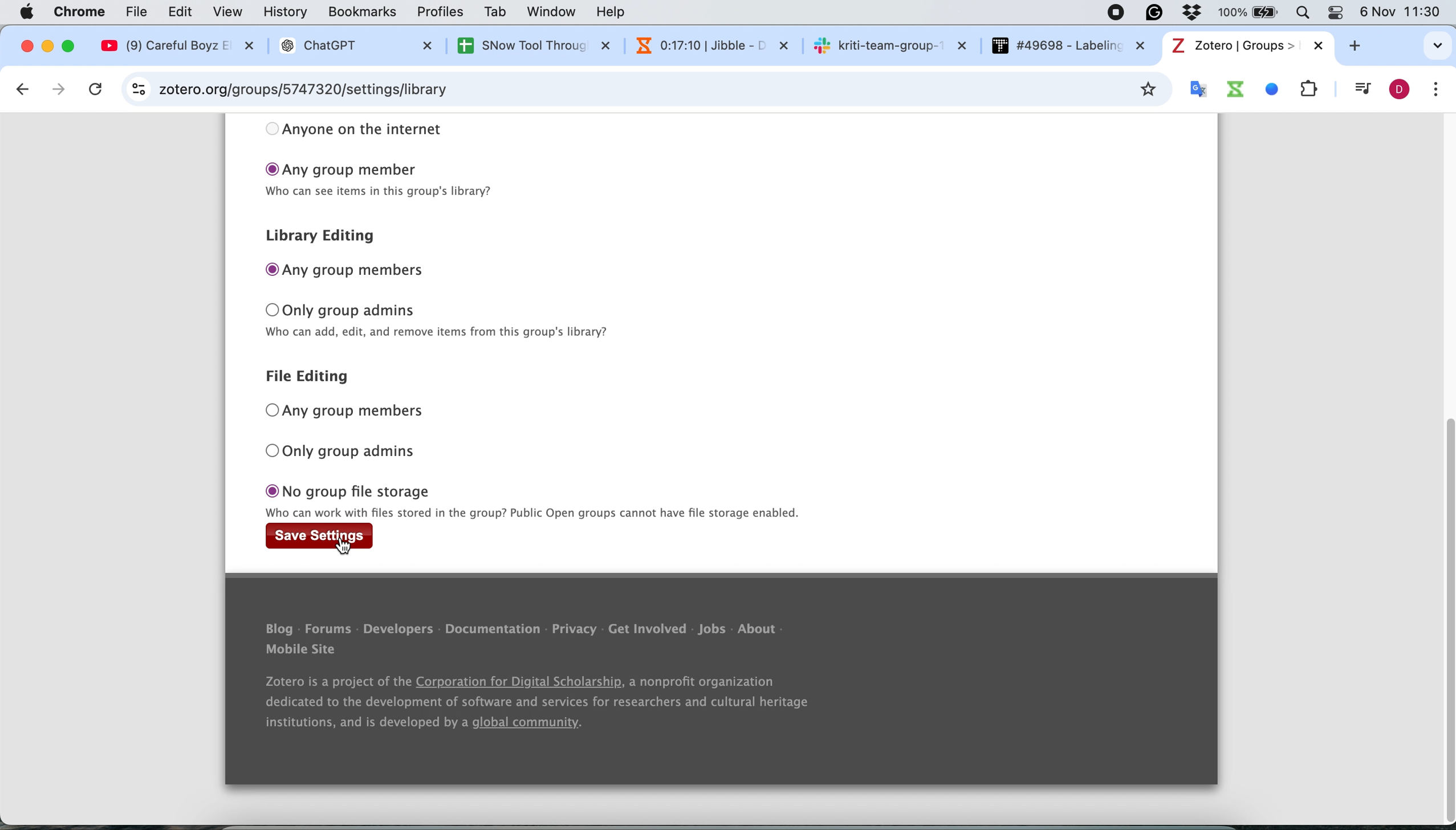  What do you see at coordinates (353, 46) in the screenshot?
I see `® ChatGPT X` at bounding box center [353, 46].